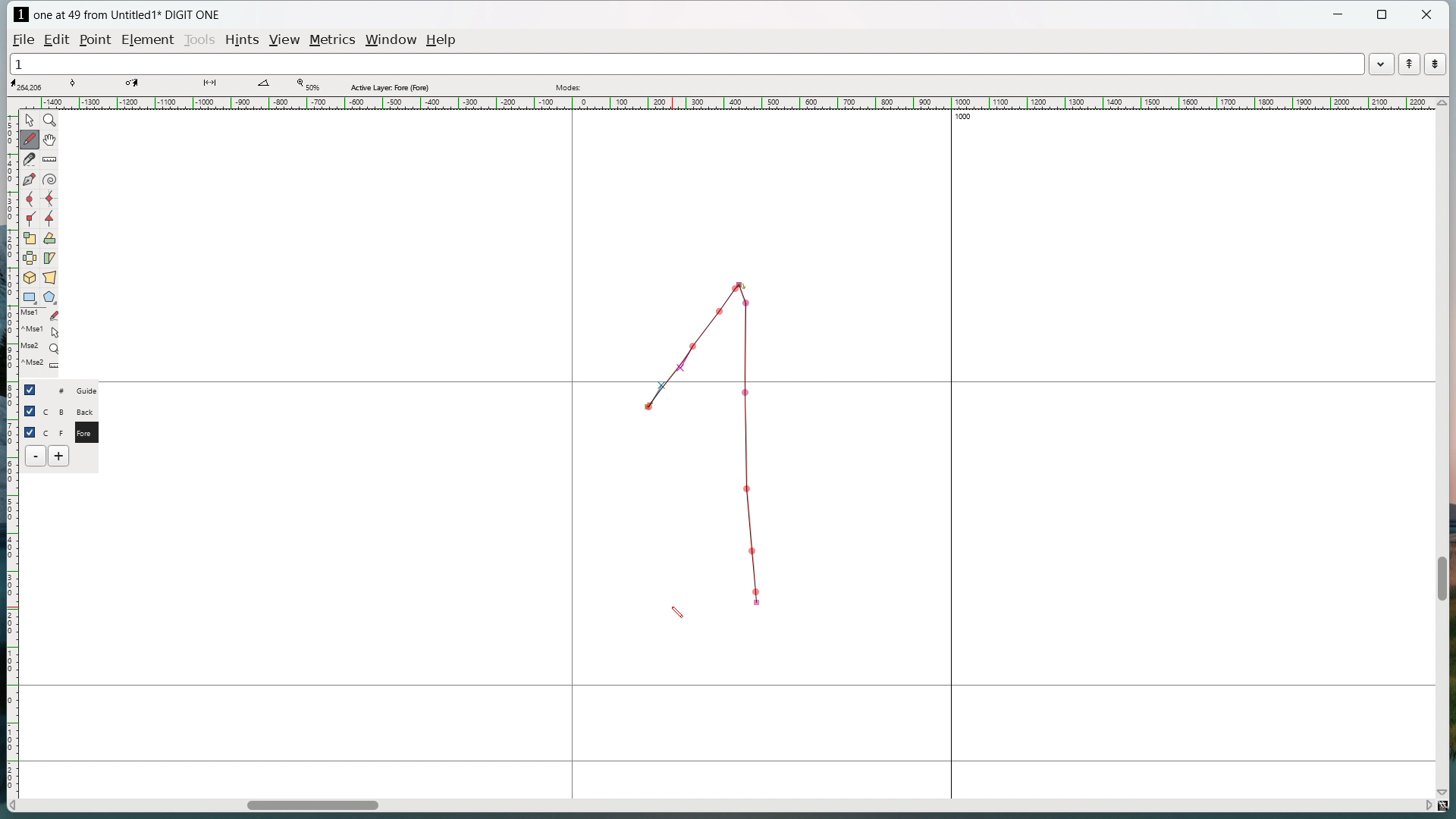  Describe the element at coordinates (72, 390) in the screenshot. I see `# Guide` at that location.